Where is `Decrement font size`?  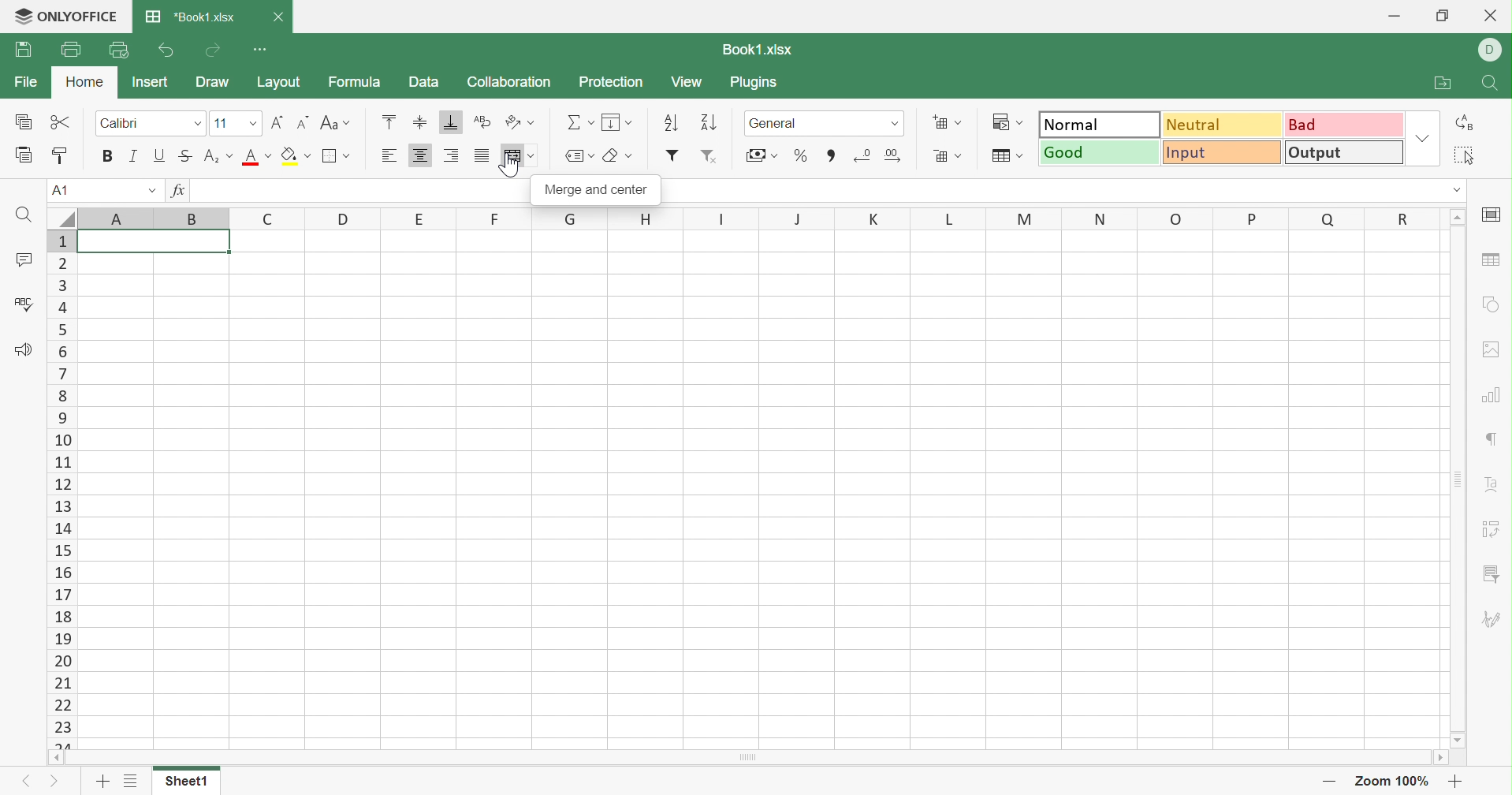
Decrement font size is located at coordinates (303, 123).